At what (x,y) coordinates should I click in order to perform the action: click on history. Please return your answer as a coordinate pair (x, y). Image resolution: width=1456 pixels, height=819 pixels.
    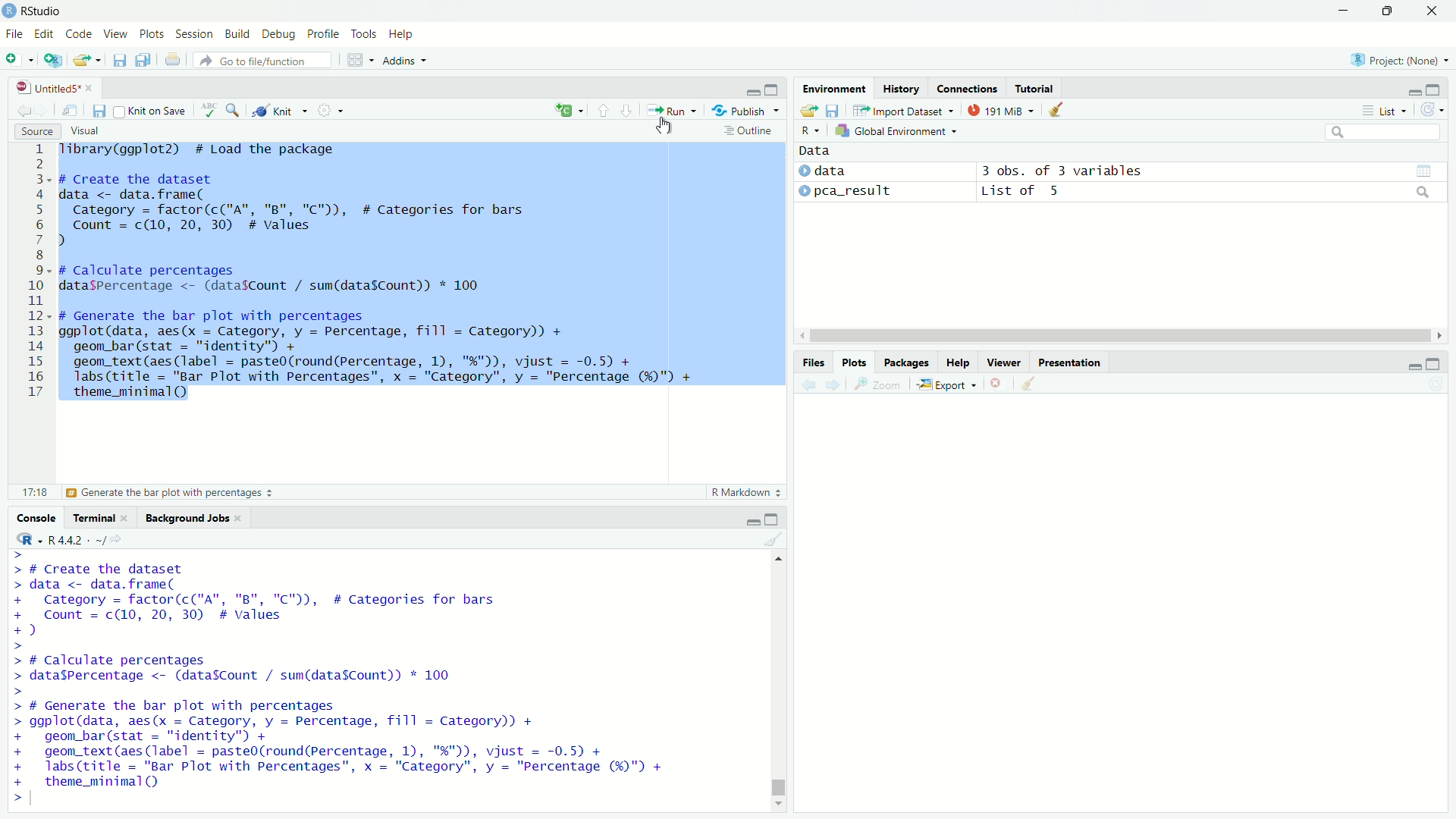
    Looking at the image, I should click on (901, 89).